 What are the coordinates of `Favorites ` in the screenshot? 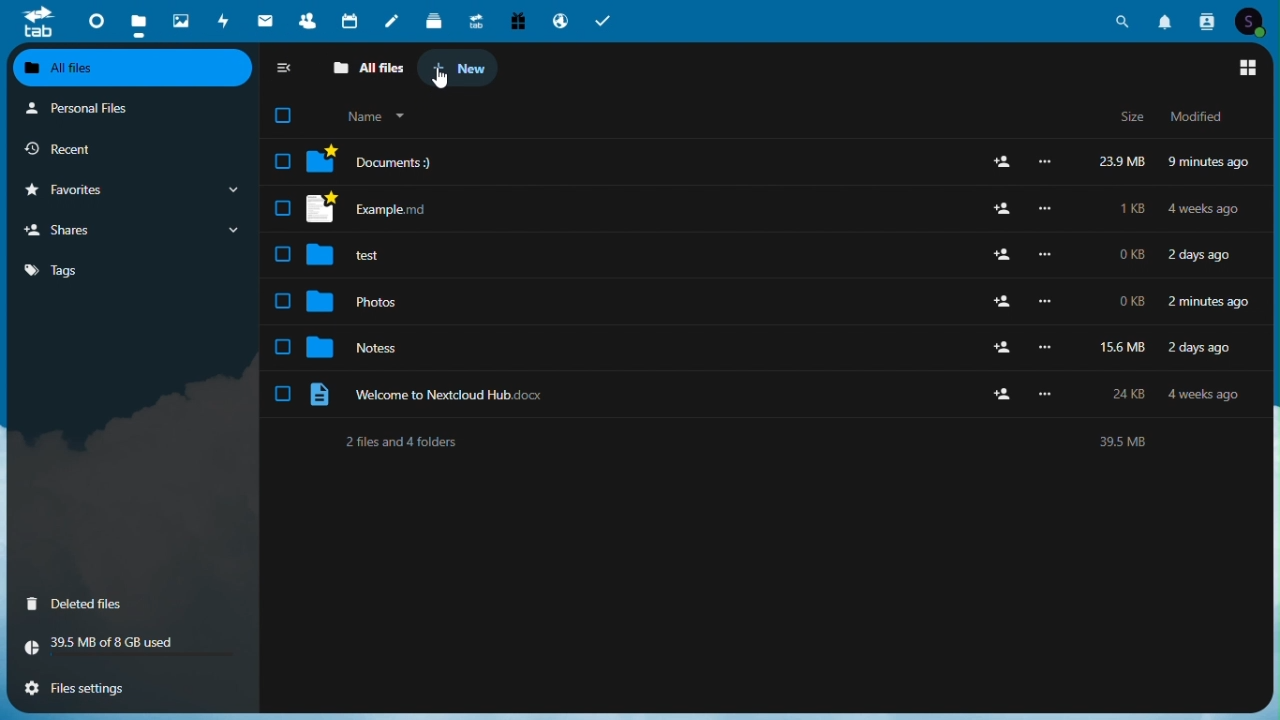 It's located at (124, 189).